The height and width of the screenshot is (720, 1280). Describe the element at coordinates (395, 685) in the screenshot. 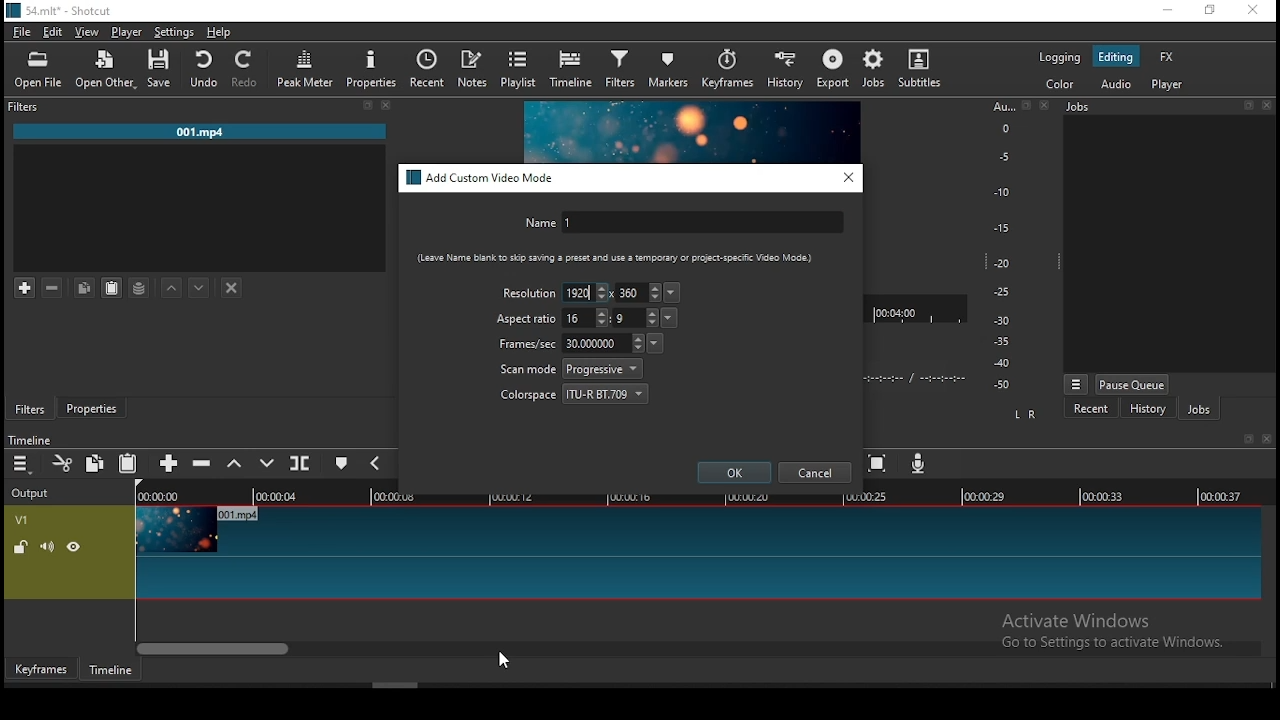

I see `scroll` at that location.